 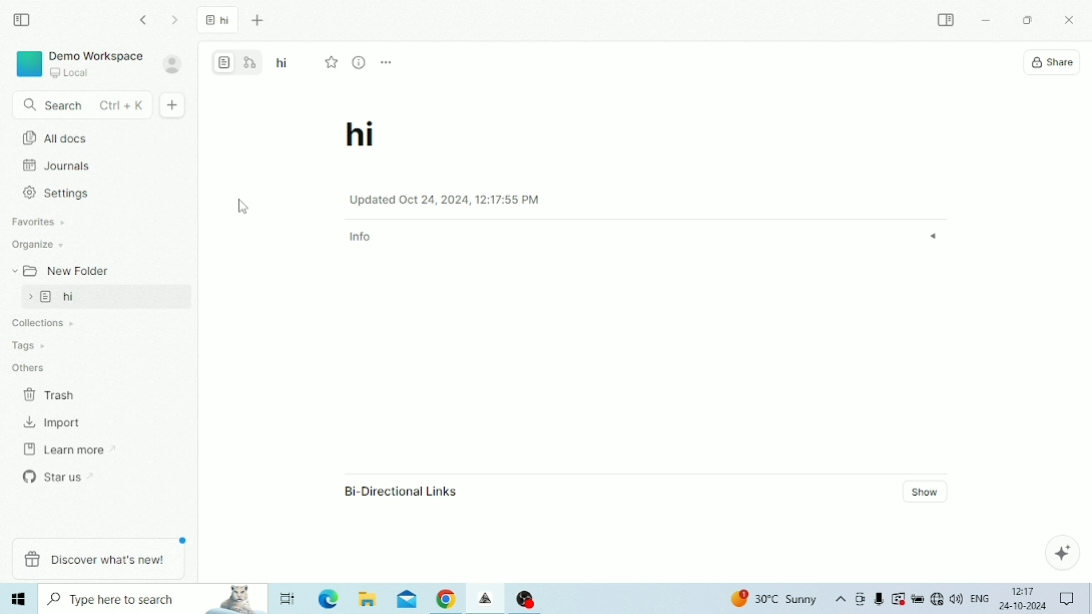 I want to click on Switch, so click(x=238, y=61).